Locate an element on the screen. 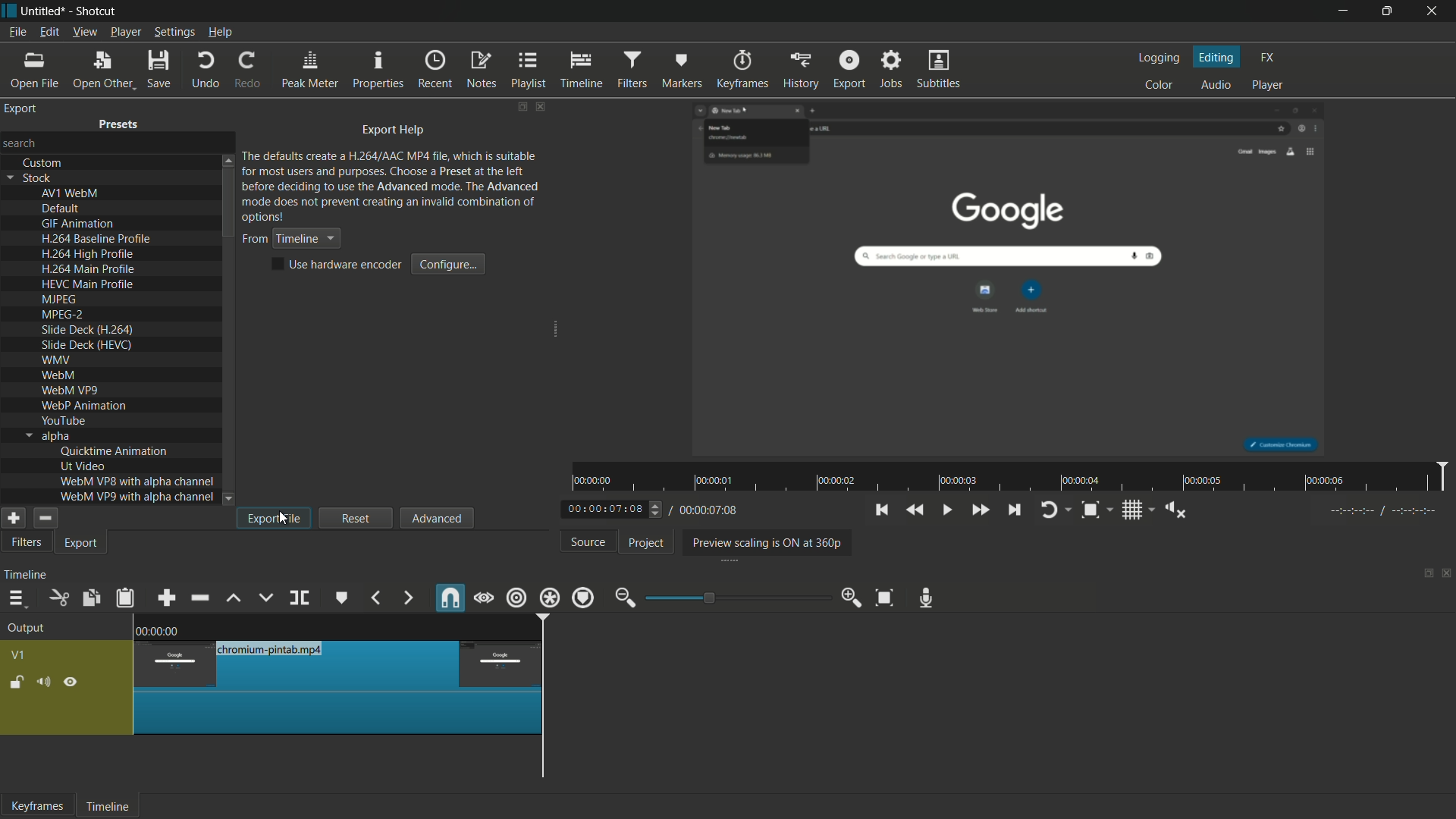  scroll bar is located at coordinates (679, 785).